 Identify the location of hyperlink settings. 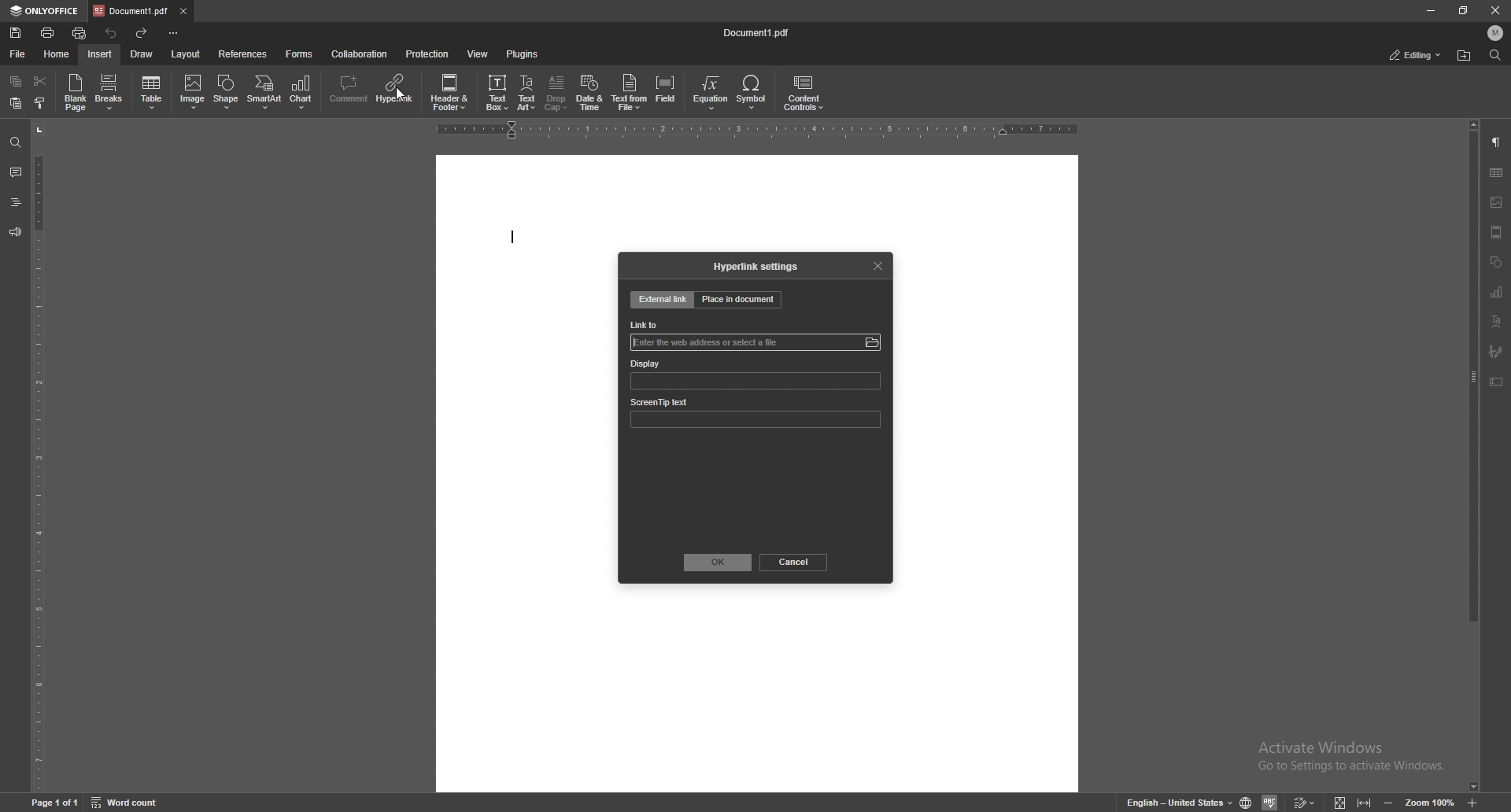
(758, 266).